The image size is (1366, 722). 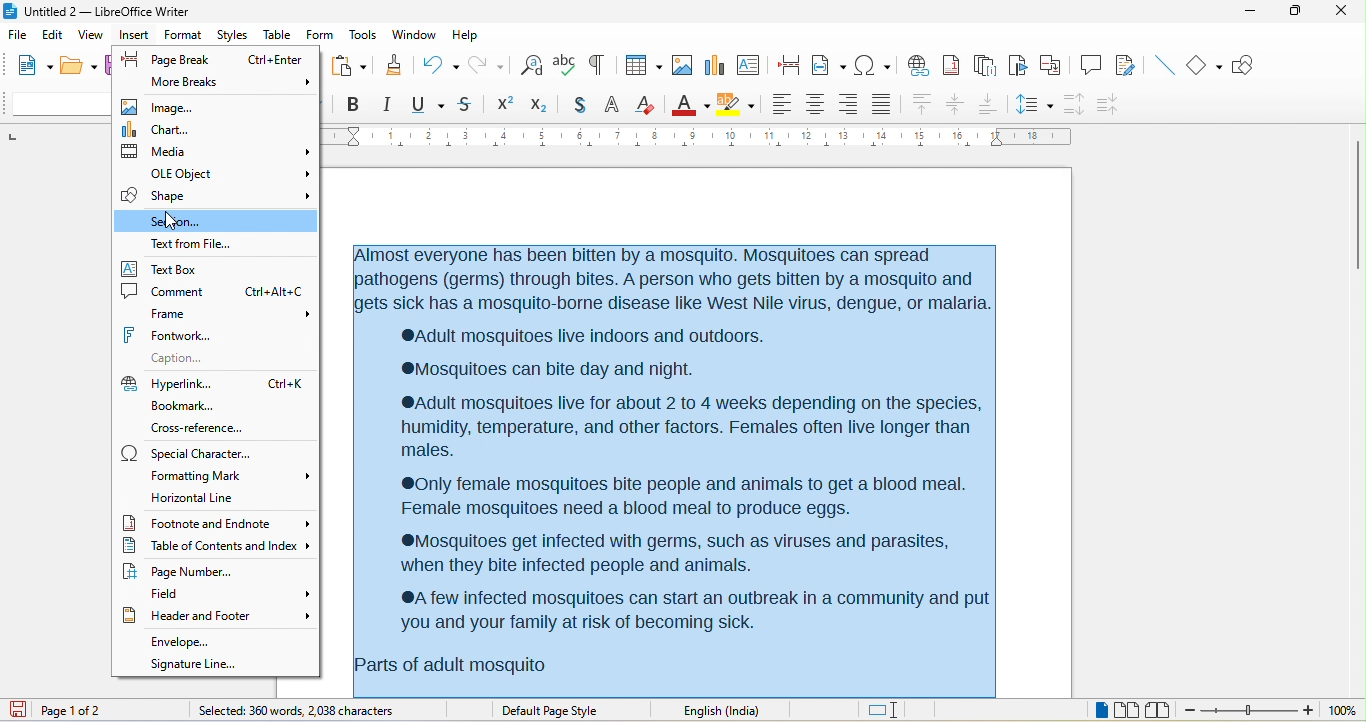 I want to click on insert line, so click(x=1167, y=65).